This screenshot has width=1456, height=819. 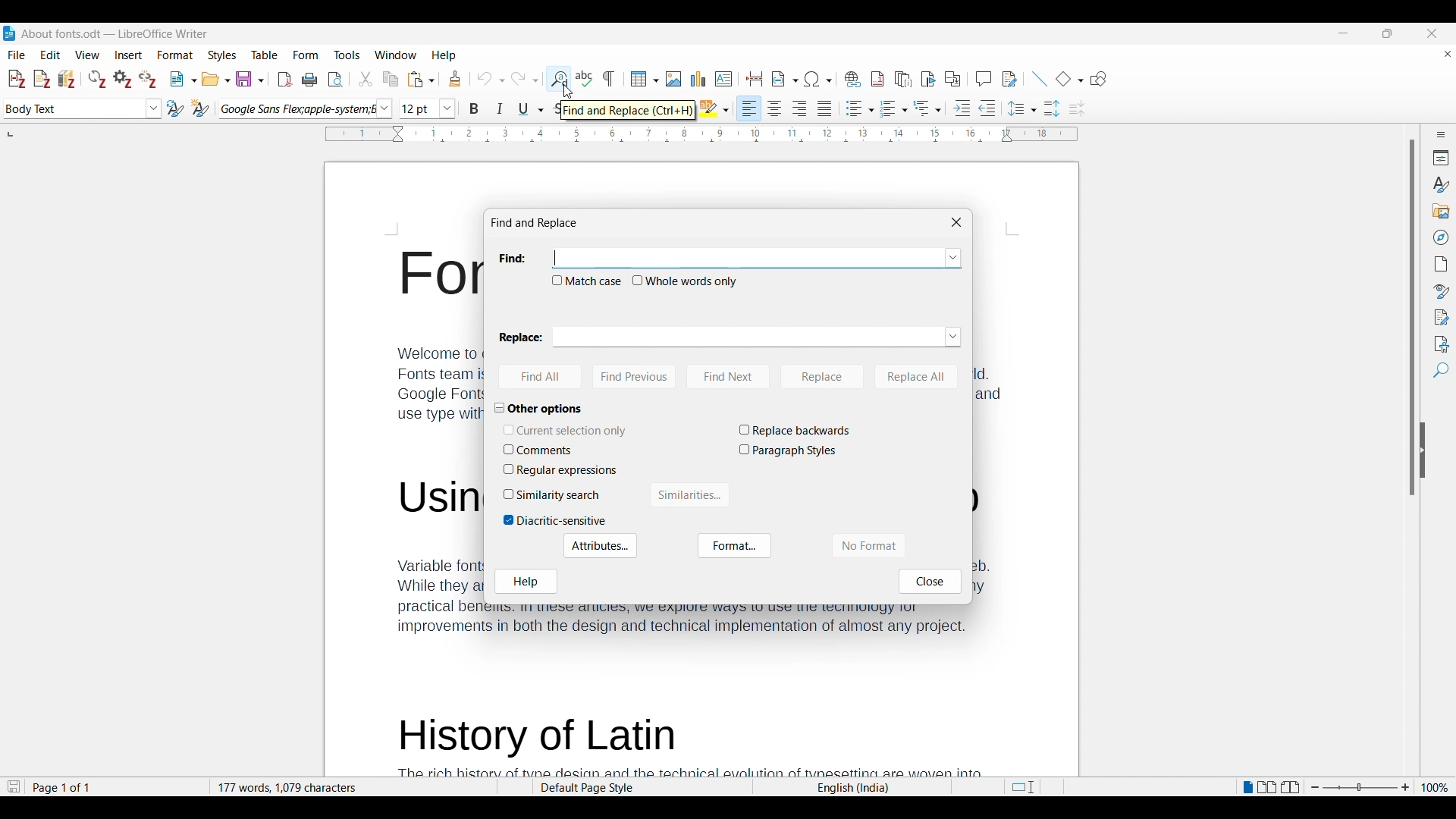 What do you see at coordinates (701, 134) in the screenshot?
I see `Page horizontal ruler` at bounding box center [701, 134].